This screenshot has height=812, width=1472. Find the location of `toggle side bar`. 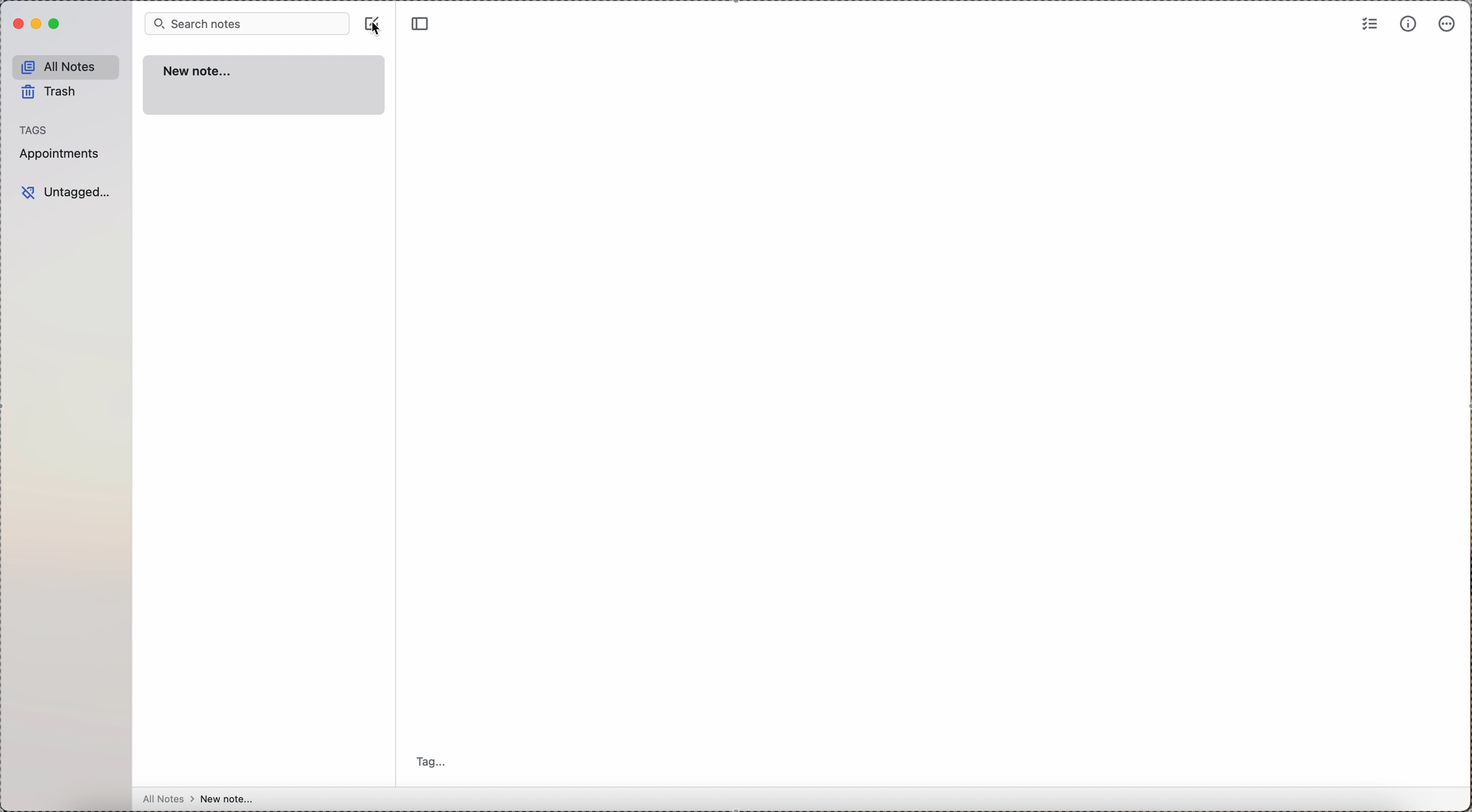

toggle side bar is located at coordinates (423, 24).